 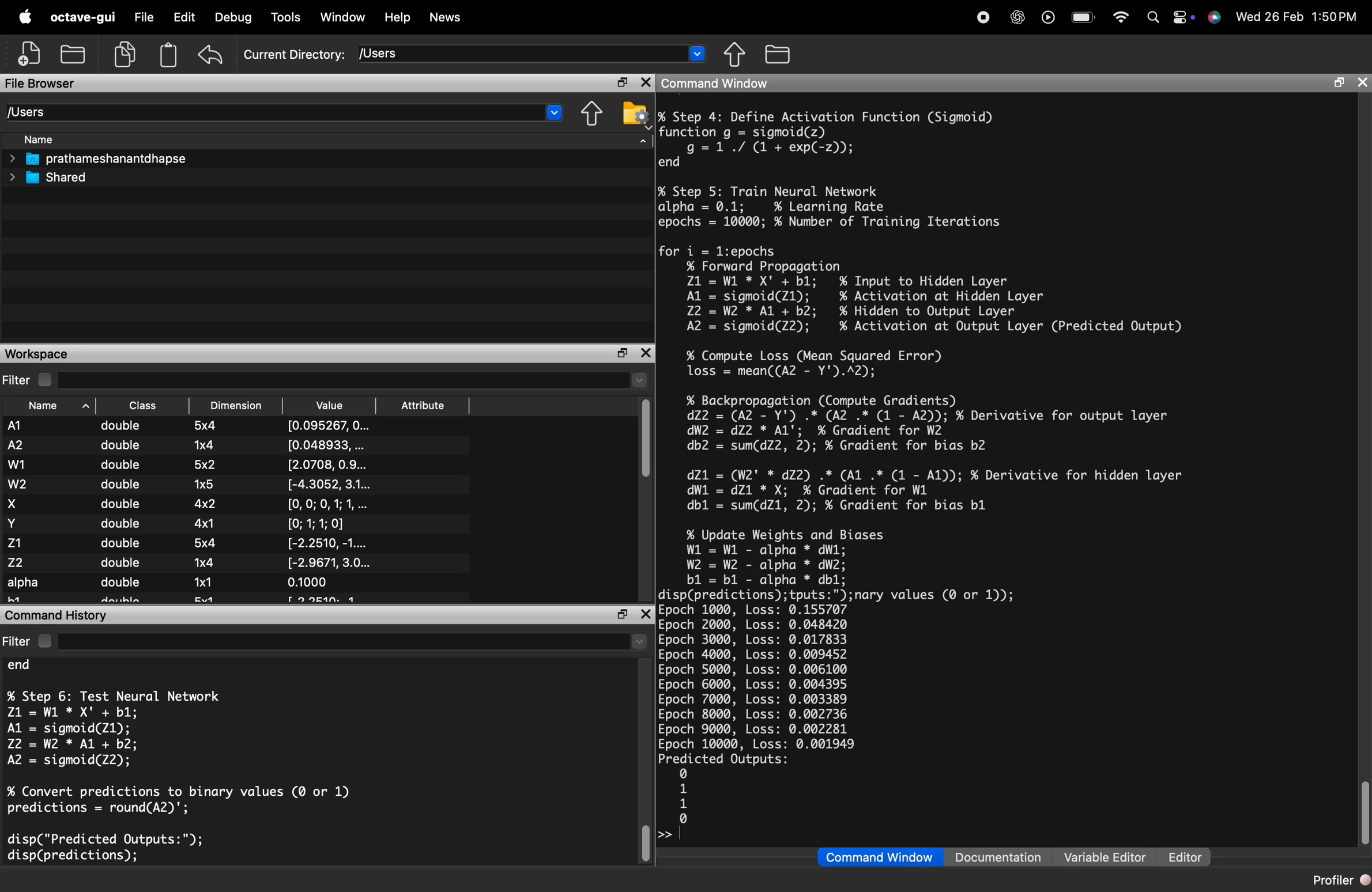 What do you see at coordinates (320, 523) in the screenshot?
I see `[0; 1; 1; 0]` at bounding box center [320, 523].